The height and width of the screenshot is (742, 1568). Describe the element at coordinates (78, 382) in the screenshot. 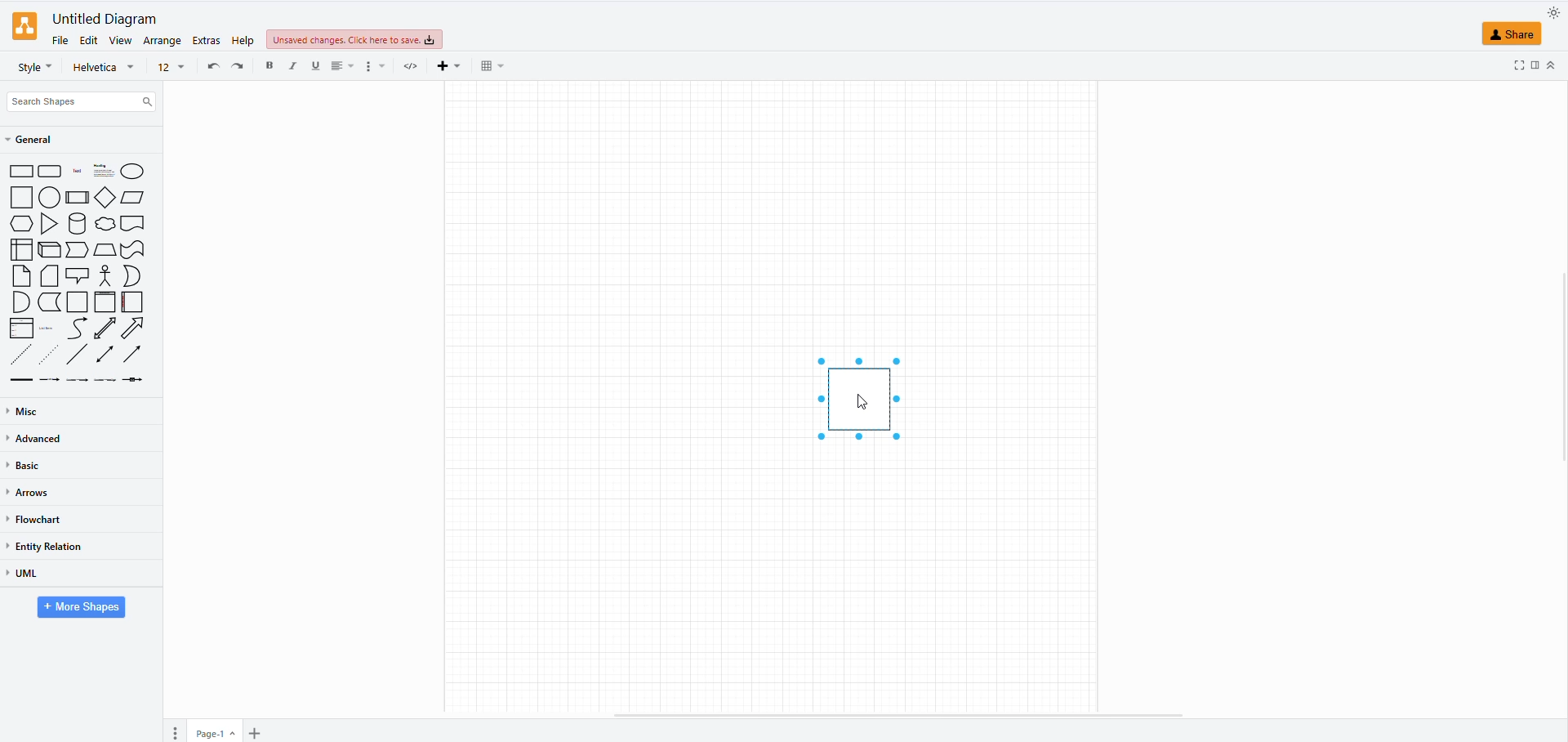

I see `connector with 2 labels` at that location.